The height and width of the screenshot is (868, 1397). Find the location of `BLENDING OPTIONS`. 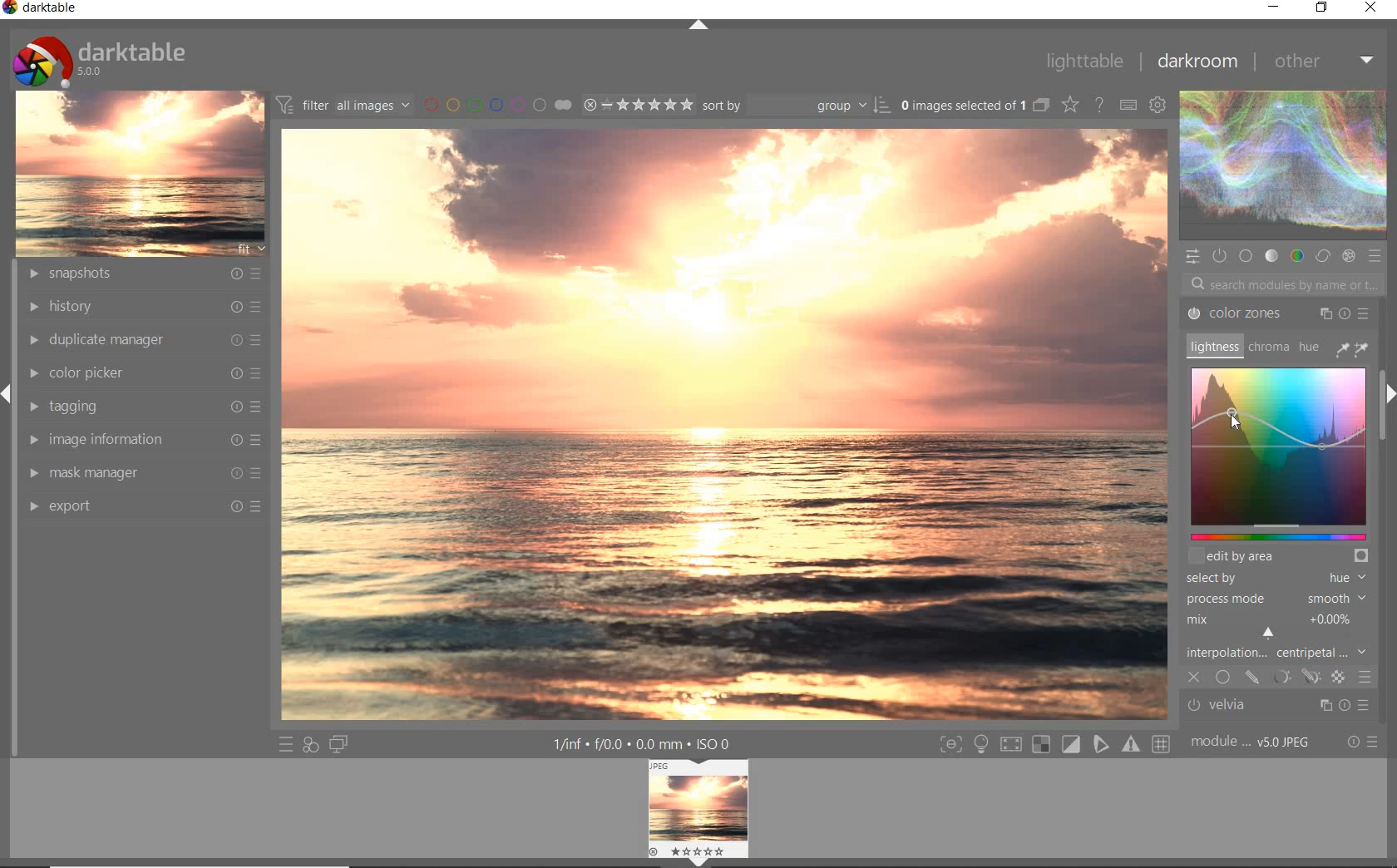

BLENDING OPTIONS is located at coordinates (1365, 678).